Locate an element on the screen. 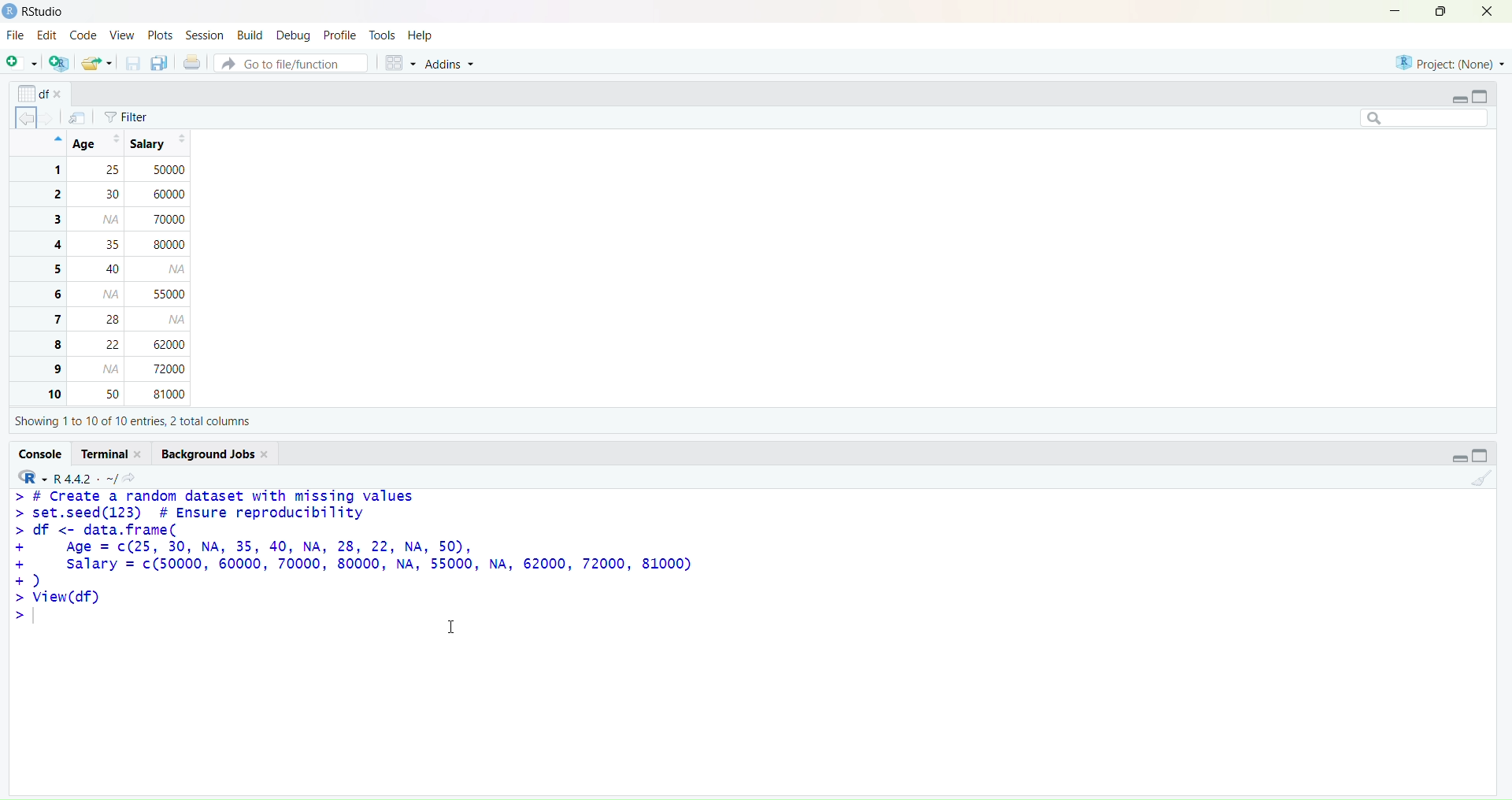  print the current file is located at coordinates (193, 64).